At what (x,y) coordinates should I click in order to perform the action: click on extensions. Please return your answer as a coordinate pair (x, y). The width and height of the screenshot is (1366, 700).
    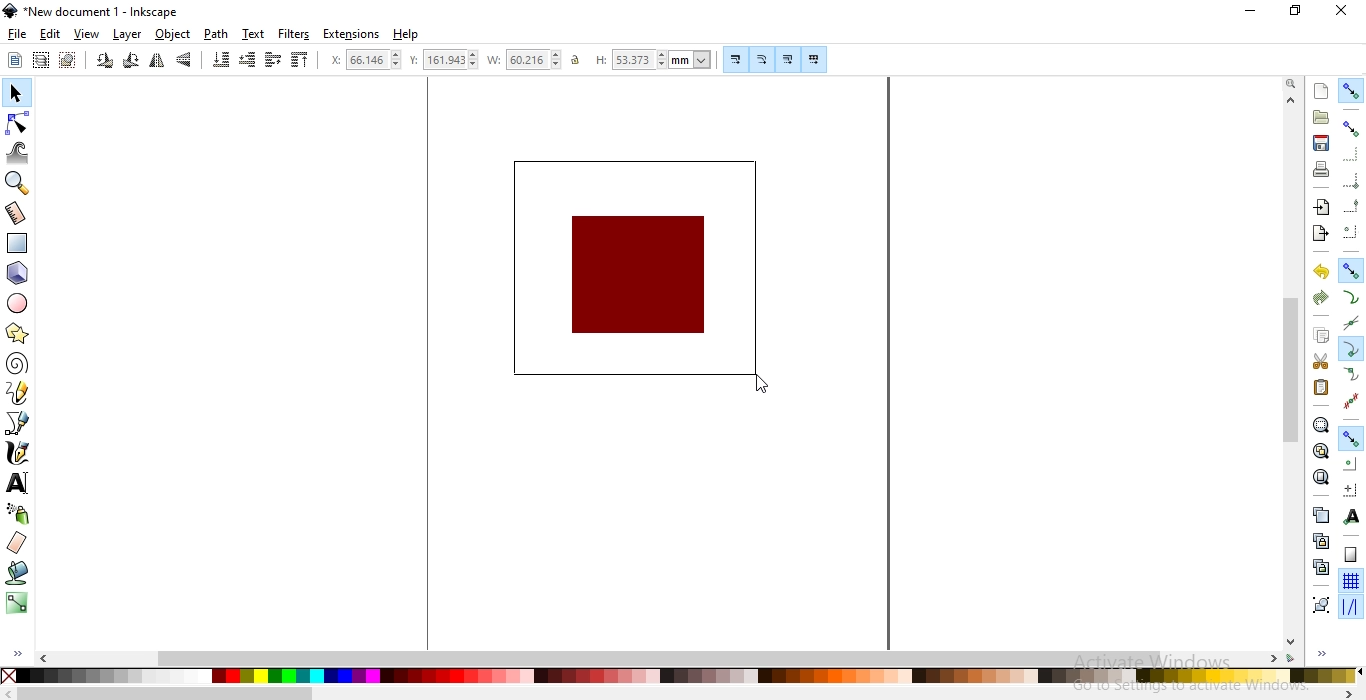
    Looking at the image, I should click on (354, 33).